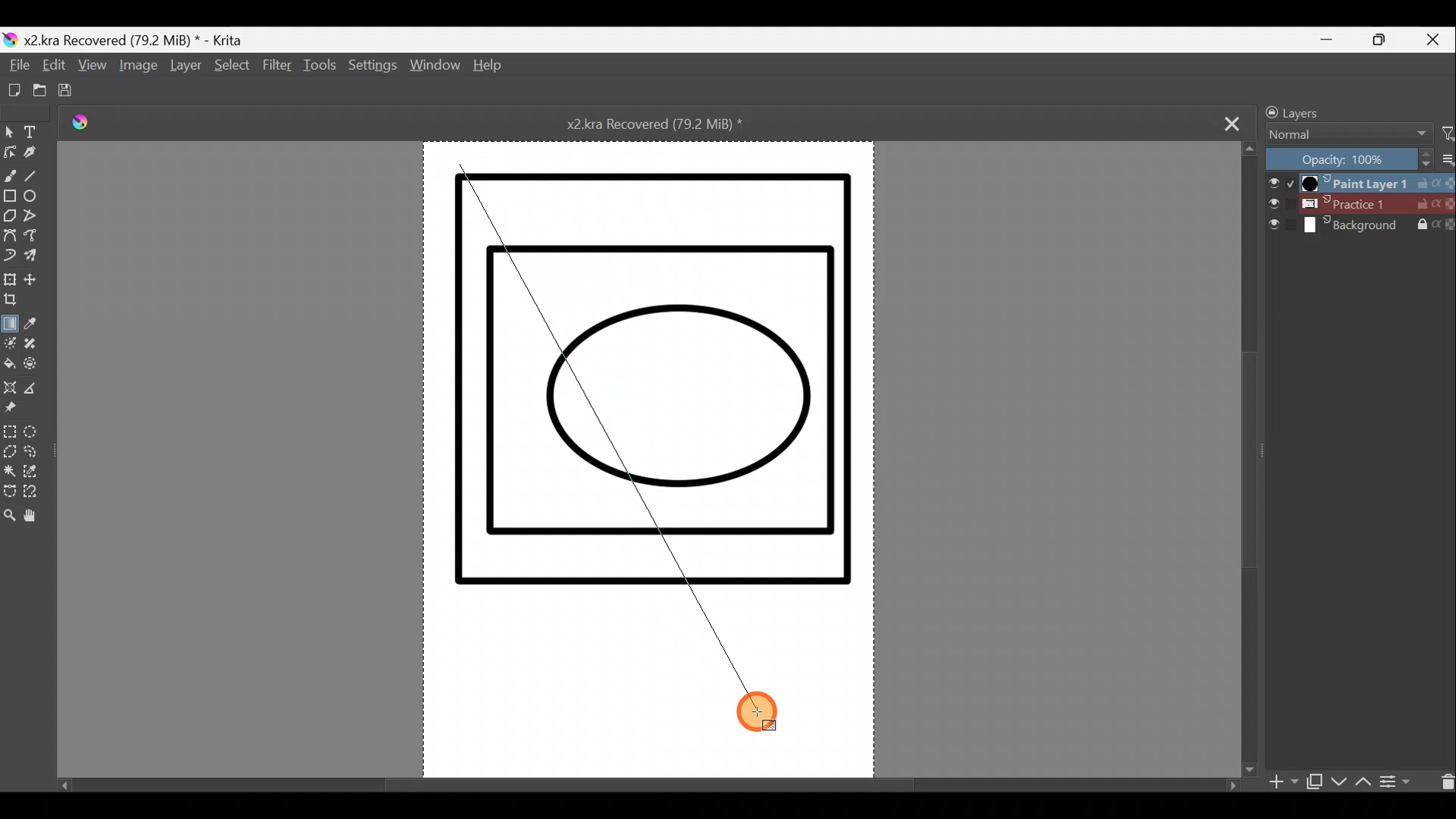 Image resolution: width=1456 pixels, height=819 pixels. I want to click on Edit, so click(52, 68).